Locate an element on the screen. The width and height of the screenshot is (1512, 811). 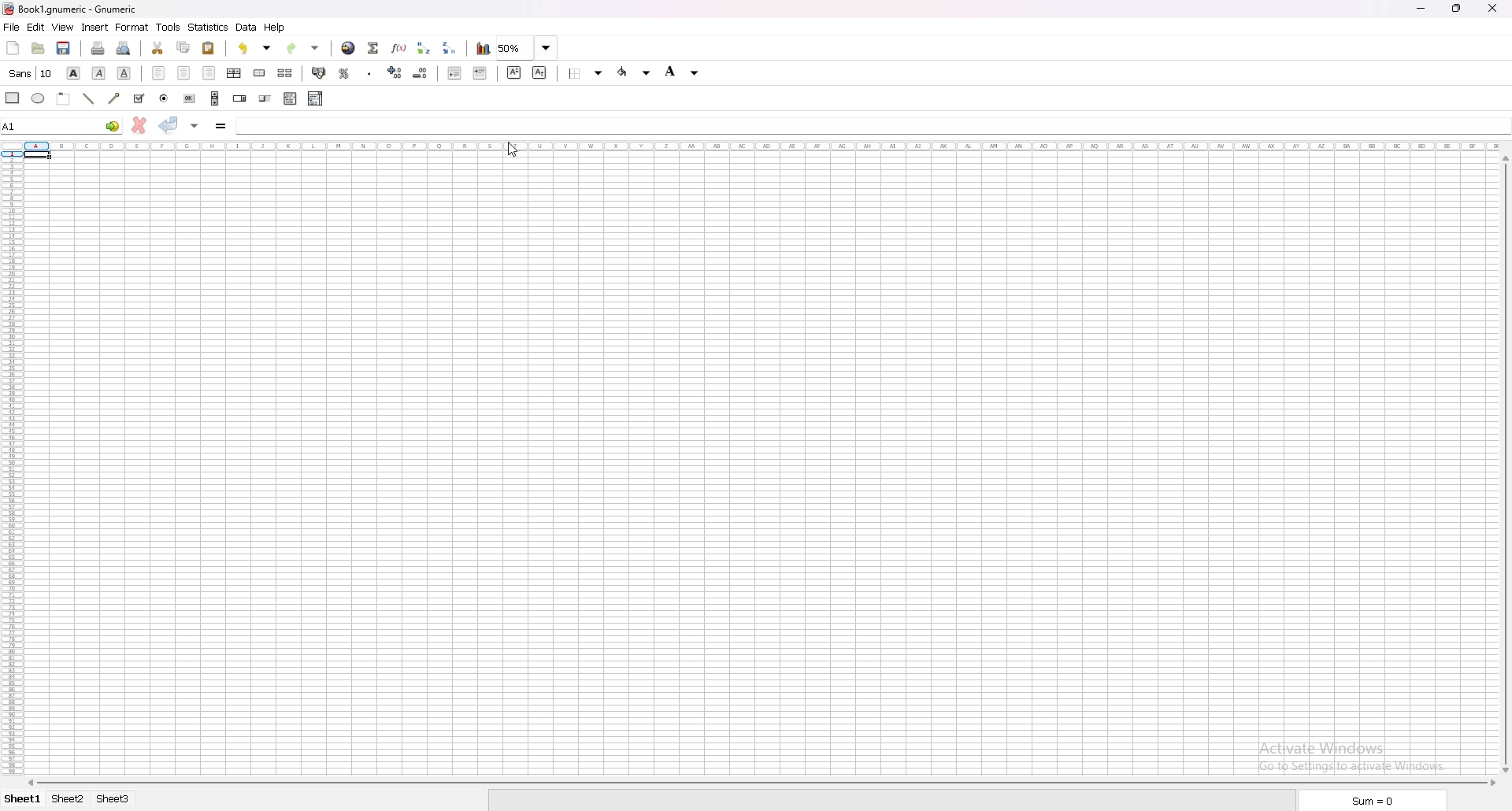
accept changes in multiple cells is located at coordinates (195, 125).